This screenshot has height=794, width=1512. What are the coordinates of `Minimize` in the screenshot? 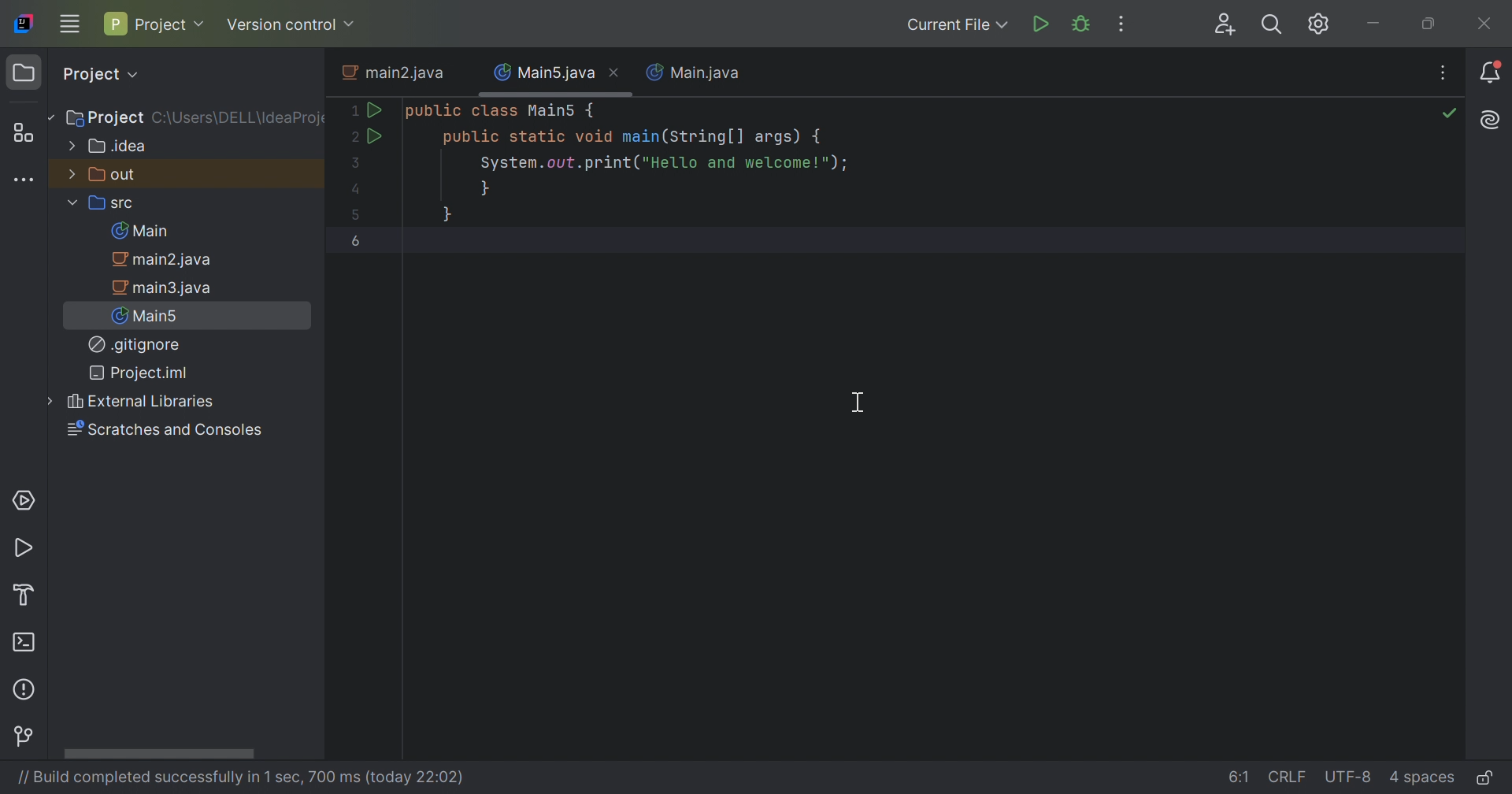 It's located at (1376, 26).